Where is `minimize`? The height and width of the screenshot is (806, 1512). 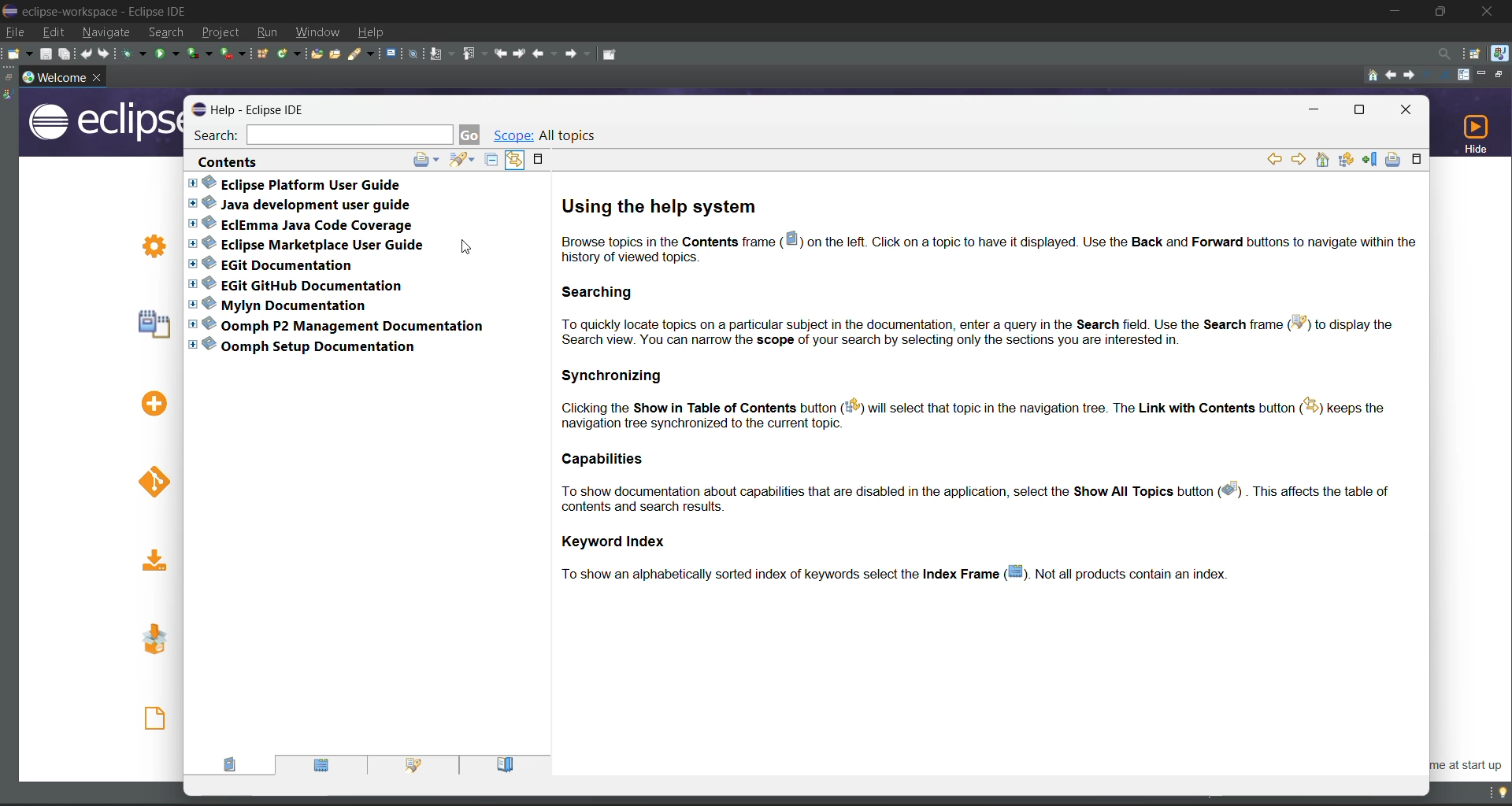 minimize is located at coordinates (1317, 113).